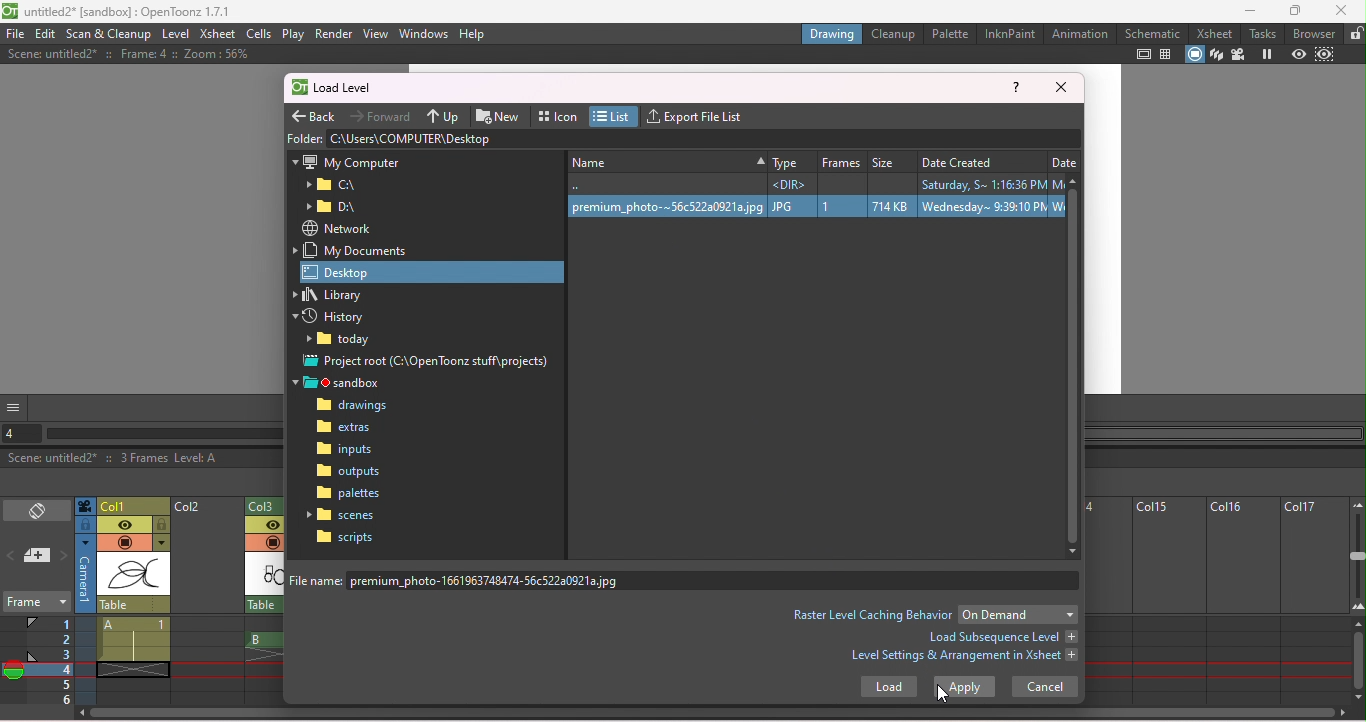 The height and width of the screenshot is (722, 1366). Describe the element at coordinates (1001, 637) in the screenshot. I see `Load subsequent level` at that location.